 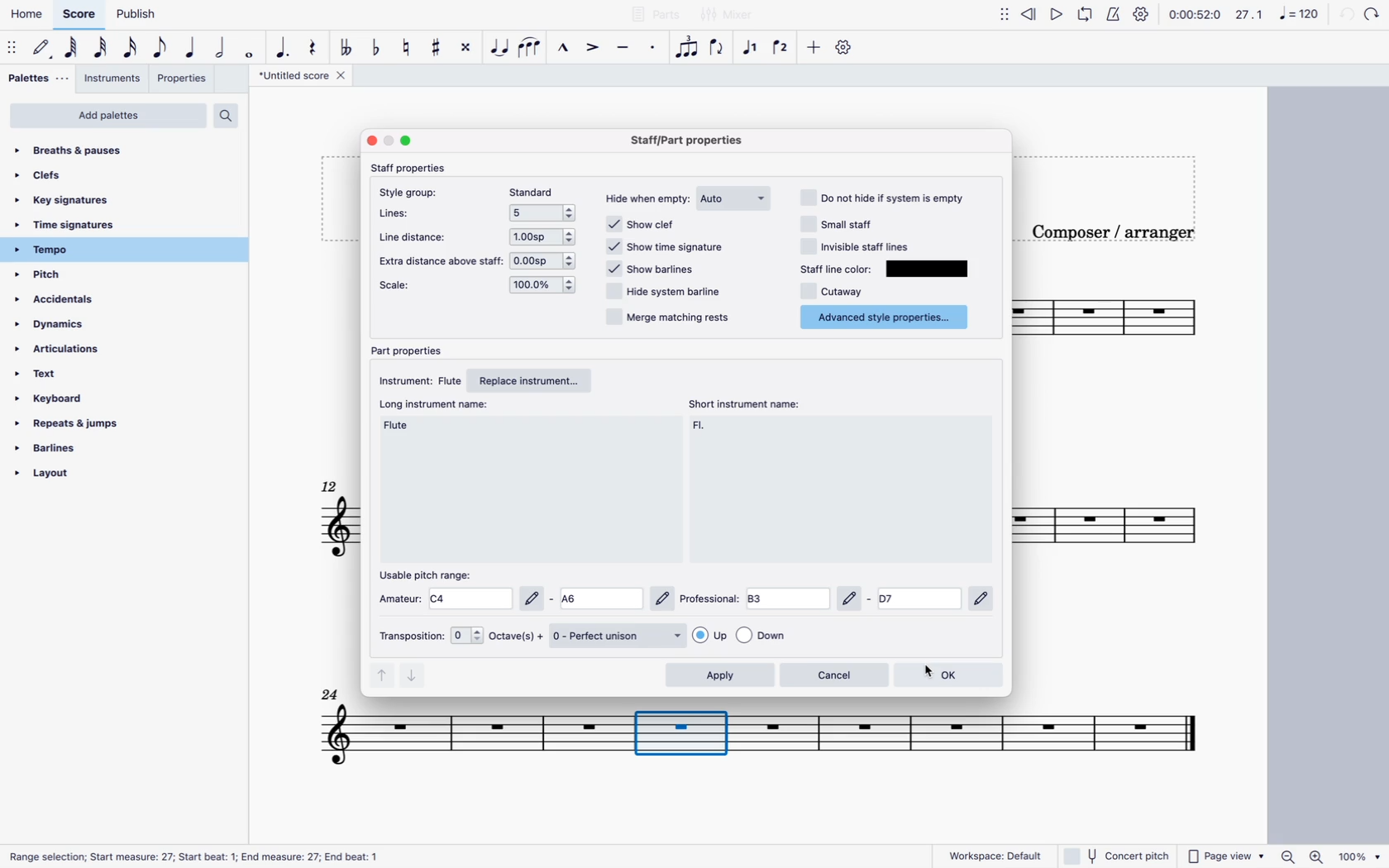 What do you see at coordinates (932, 269) in the screenshot?
I see `color` at bounding box center [932, 269].